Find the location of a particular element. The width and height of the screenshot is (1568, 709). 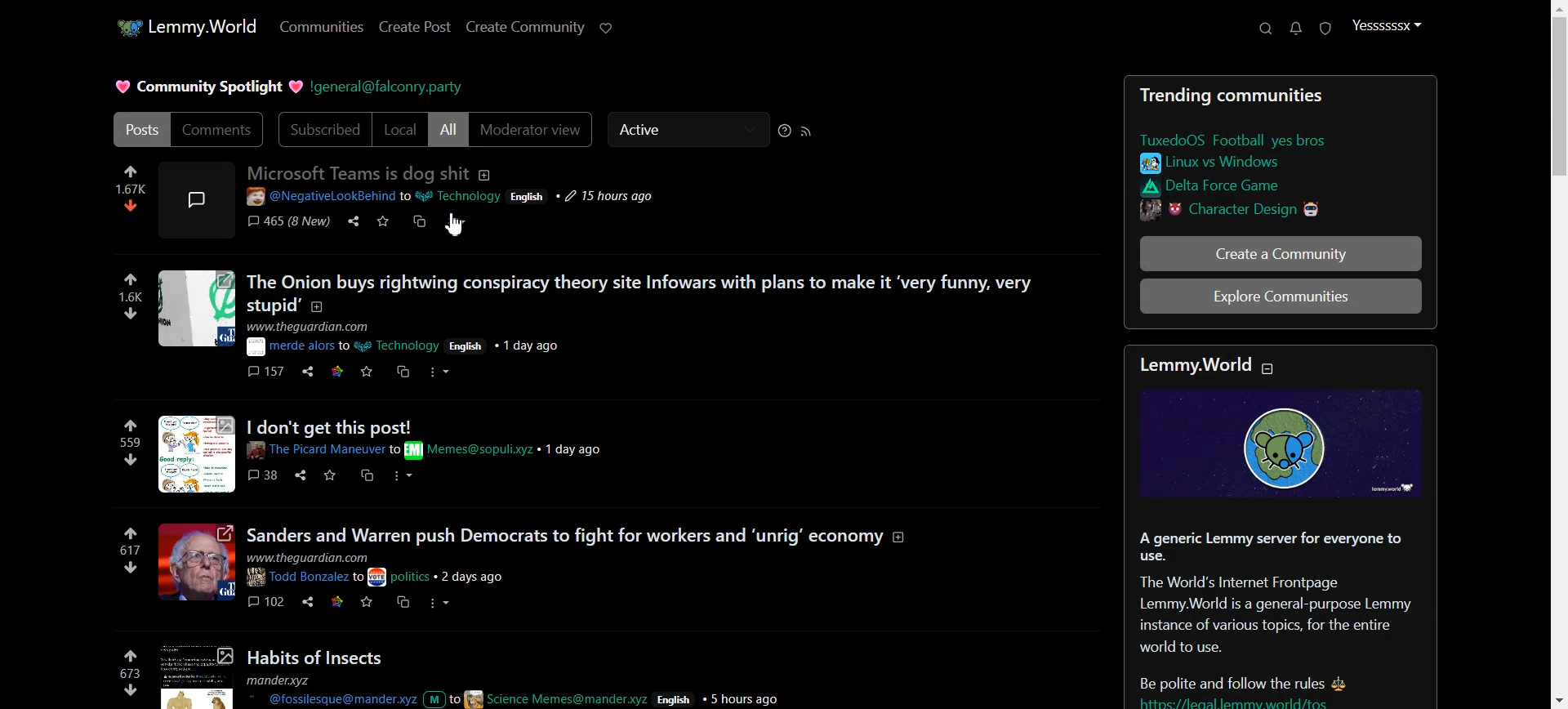

share is located at coordinates (355, 222).